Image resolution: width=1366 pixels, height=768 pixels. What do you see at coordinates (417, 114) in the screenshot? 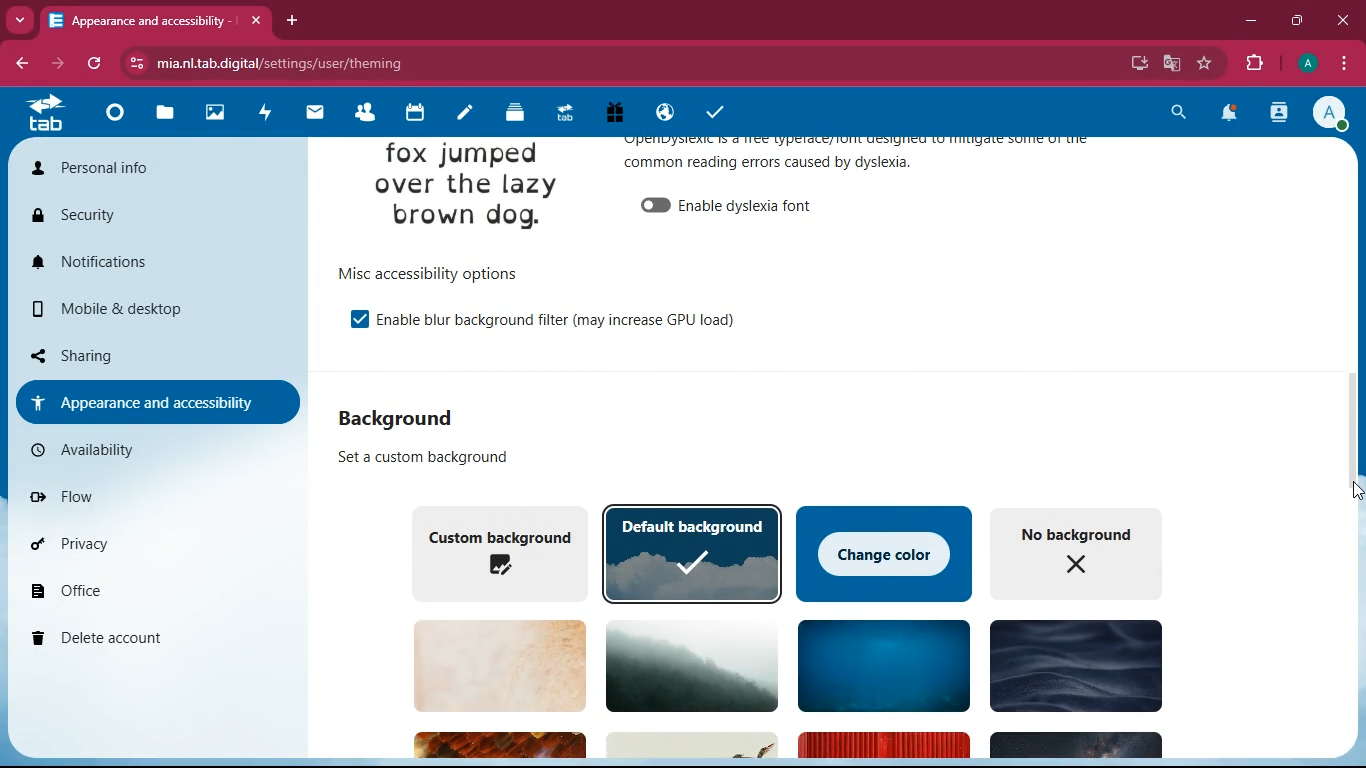
I see `calendar` at bounding box center [417, 114].